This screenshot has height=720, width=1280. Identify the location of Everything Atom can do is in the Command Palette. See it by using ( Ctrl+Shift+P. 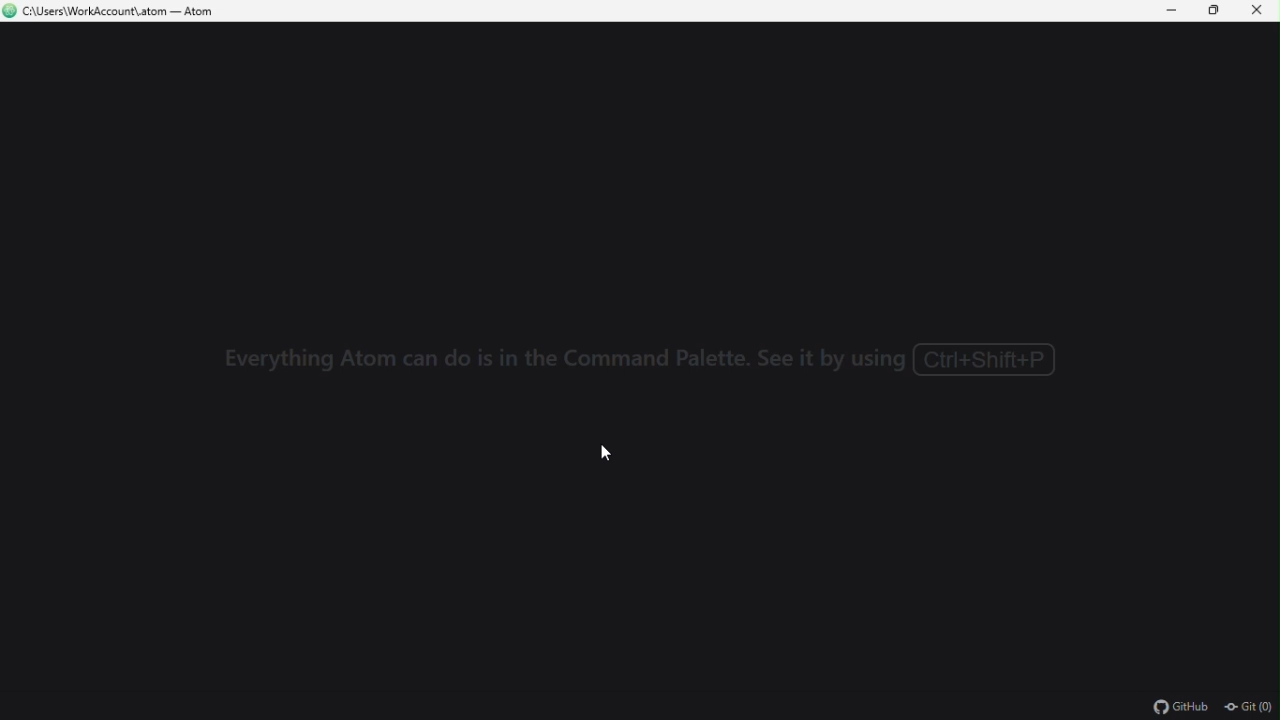
(641, 361).